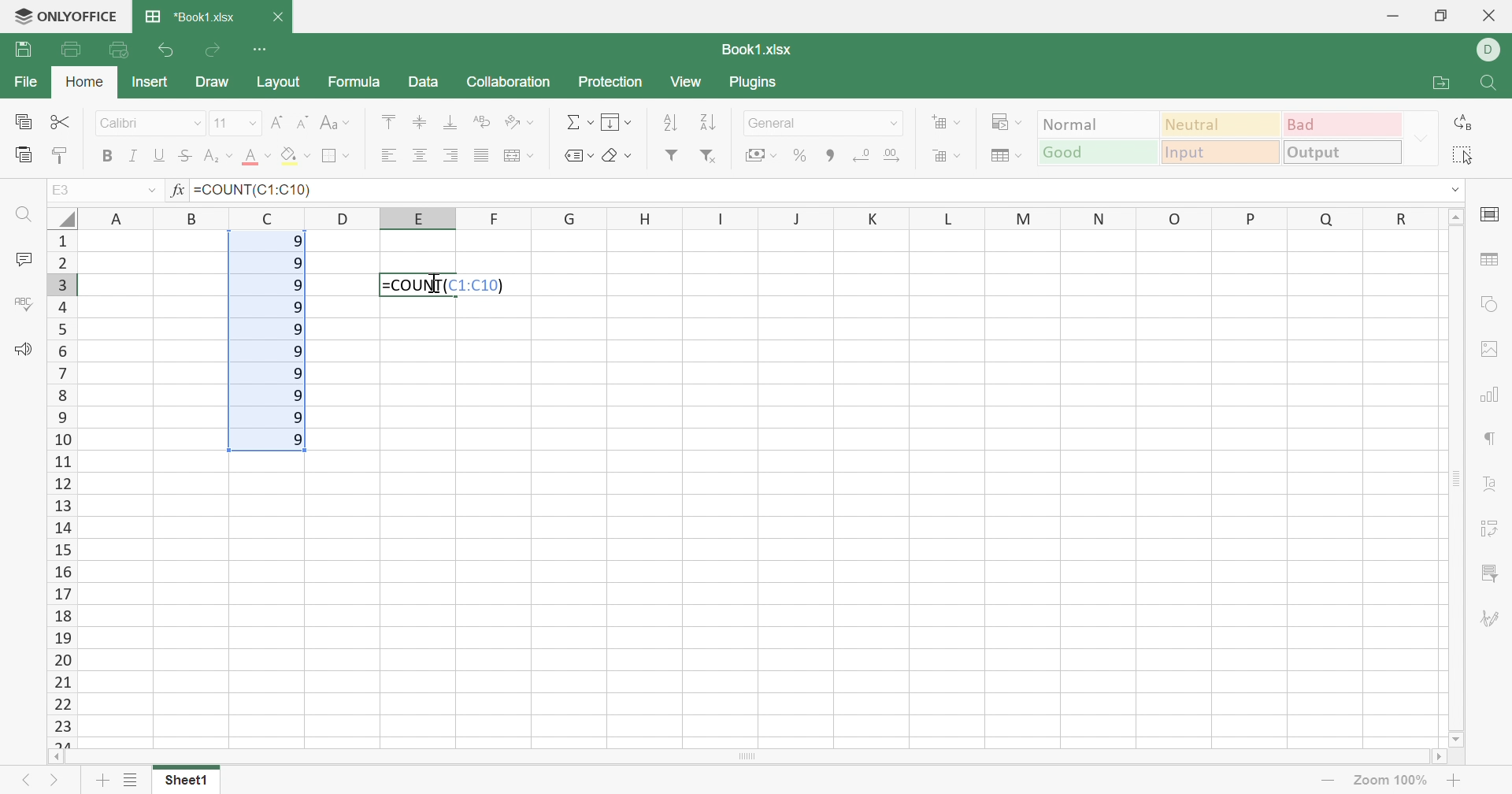 The image size is (1512, 794). What do you see at coordinates (17, 50) in the screenshot?
I see `Save` at bounding box center [17, 50].